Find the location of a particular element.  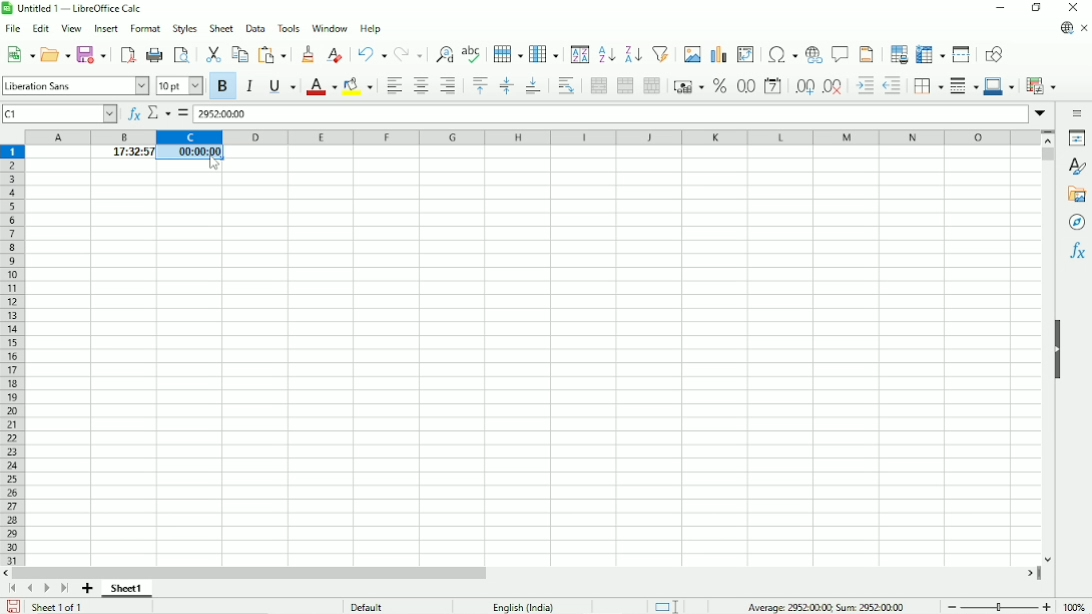

Add sheet is located at coordinates (87, 589).